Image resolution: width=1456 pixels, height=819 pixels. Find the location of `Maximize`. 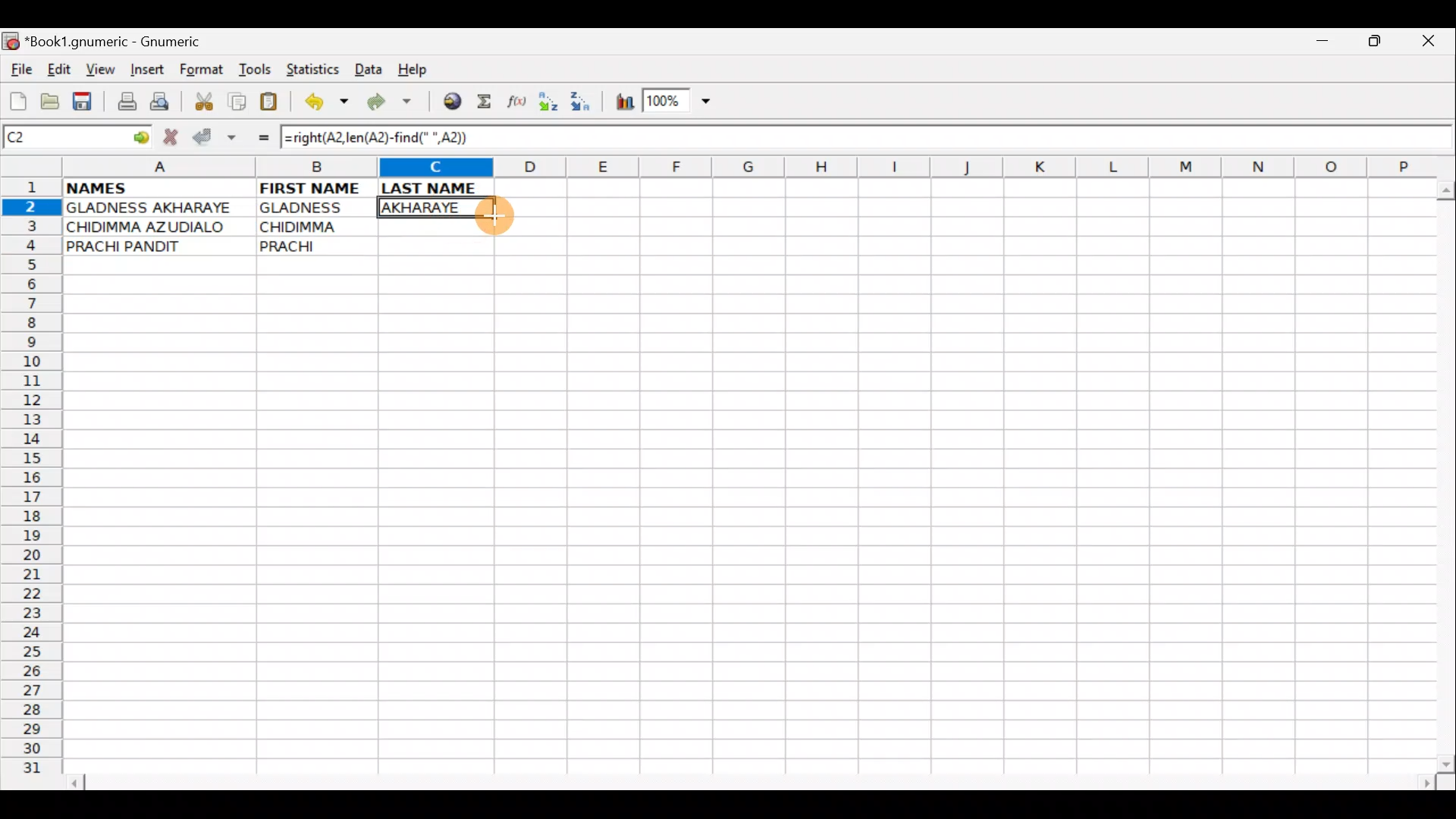

Maximize is located at coordinates (1377, 44).